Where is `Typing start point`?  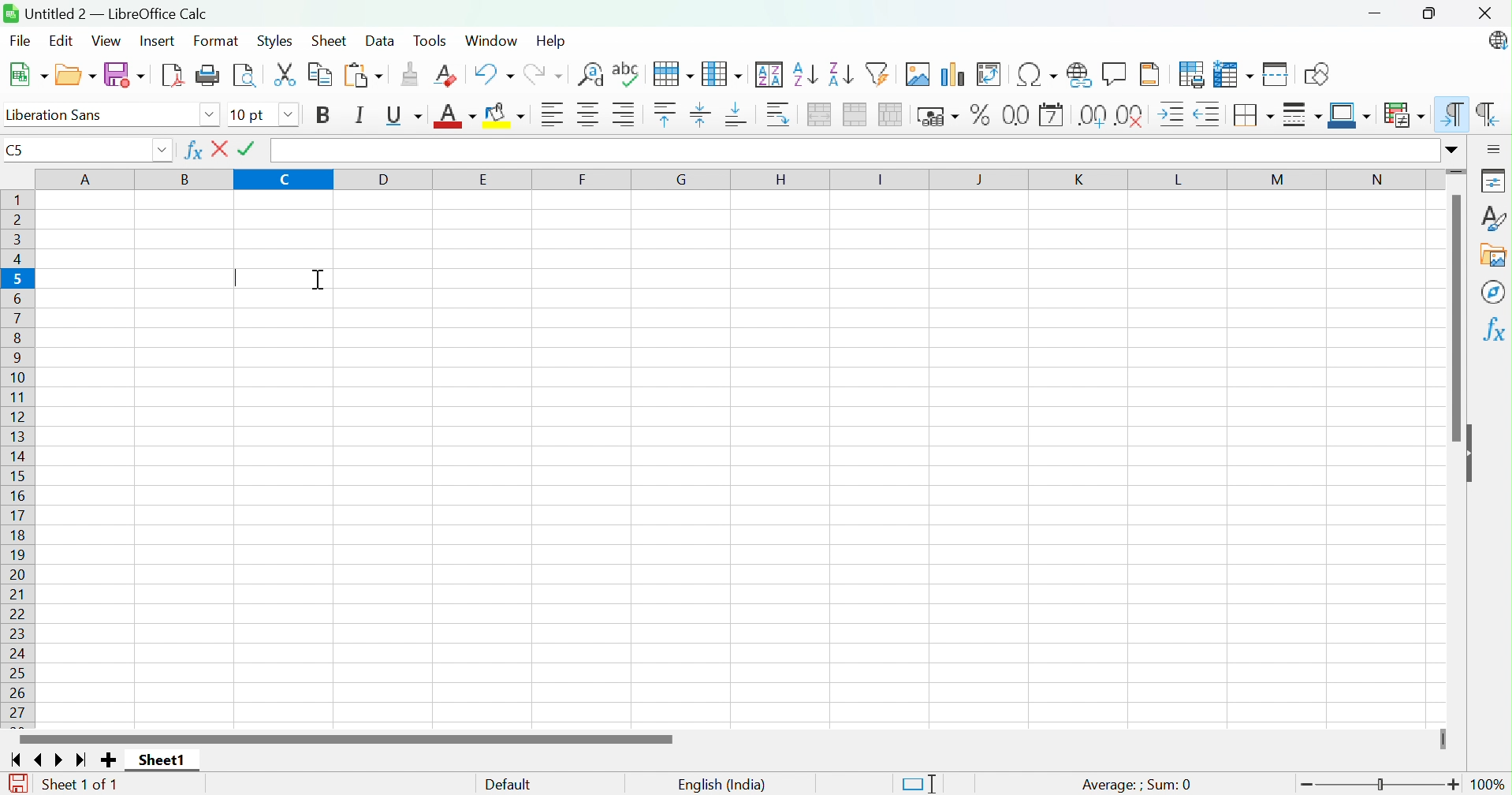 Typing start point is located at coordinates (236, 281).